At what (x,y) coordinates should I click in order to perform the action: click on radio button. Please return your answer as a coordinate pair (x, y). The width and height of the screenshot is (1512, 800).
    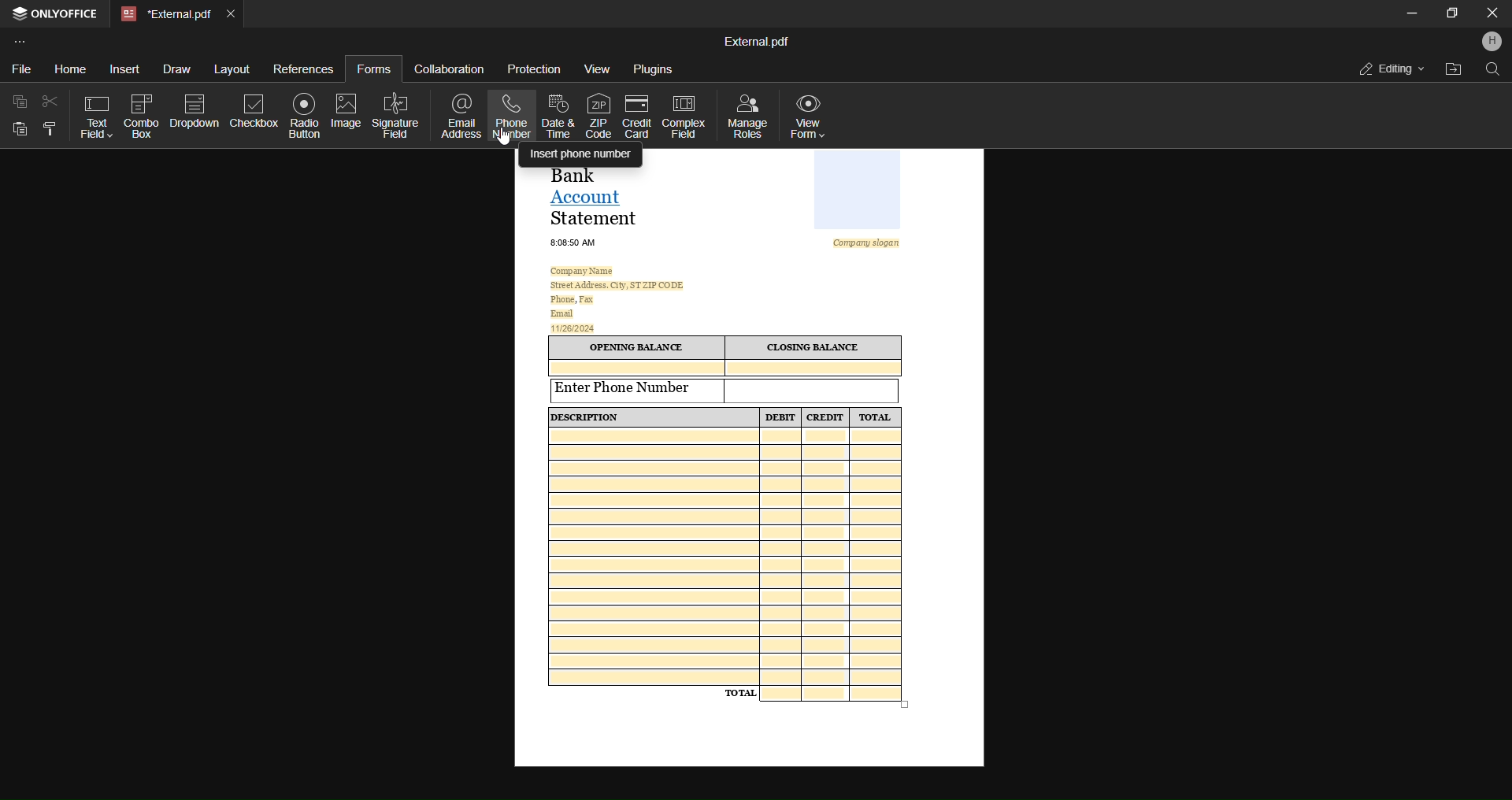
    Looking at the image, I should click on (301, 114).